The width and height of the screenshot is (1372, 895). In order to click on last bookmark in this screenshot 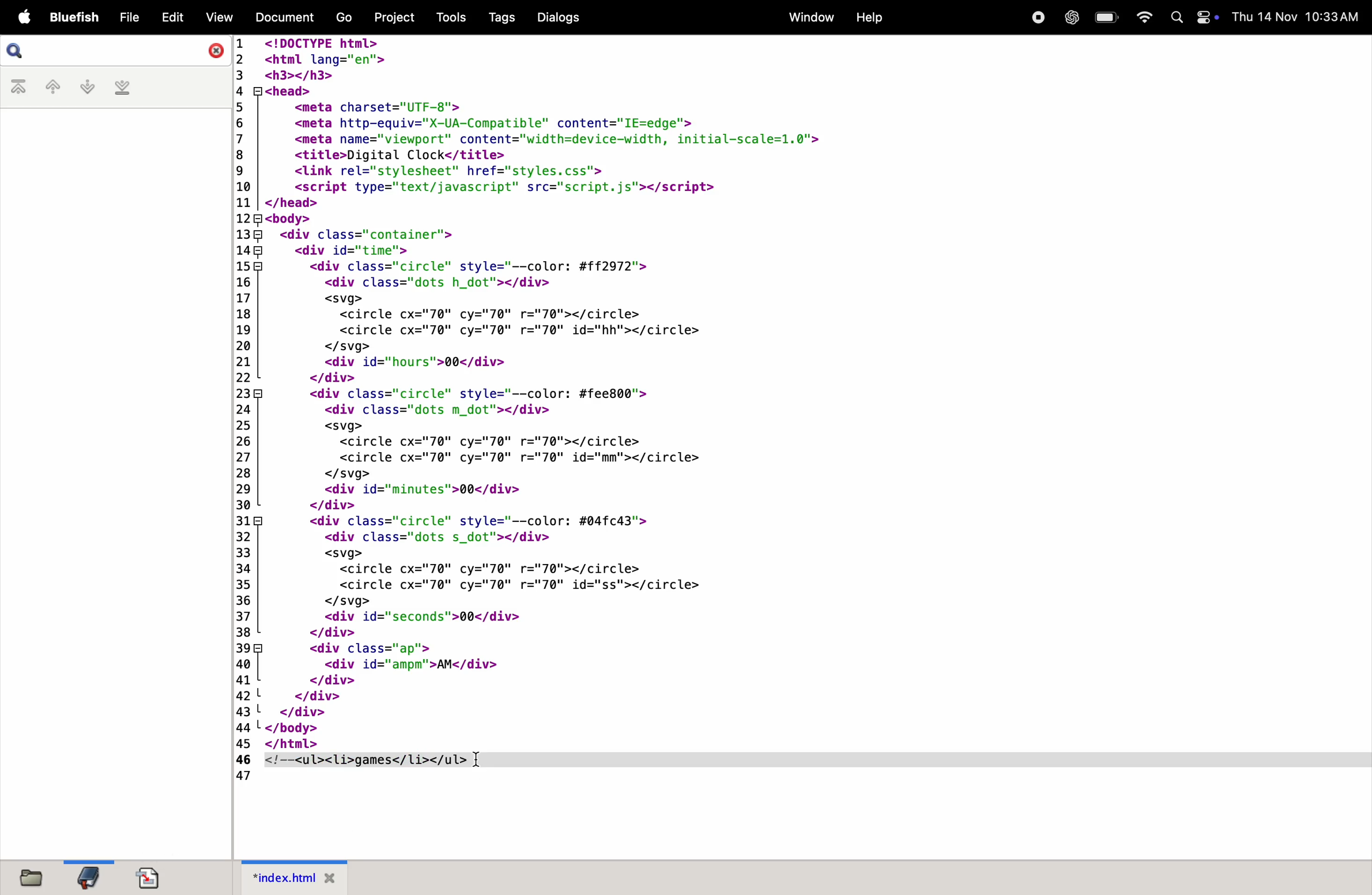, I will do `click(123, 89)`.